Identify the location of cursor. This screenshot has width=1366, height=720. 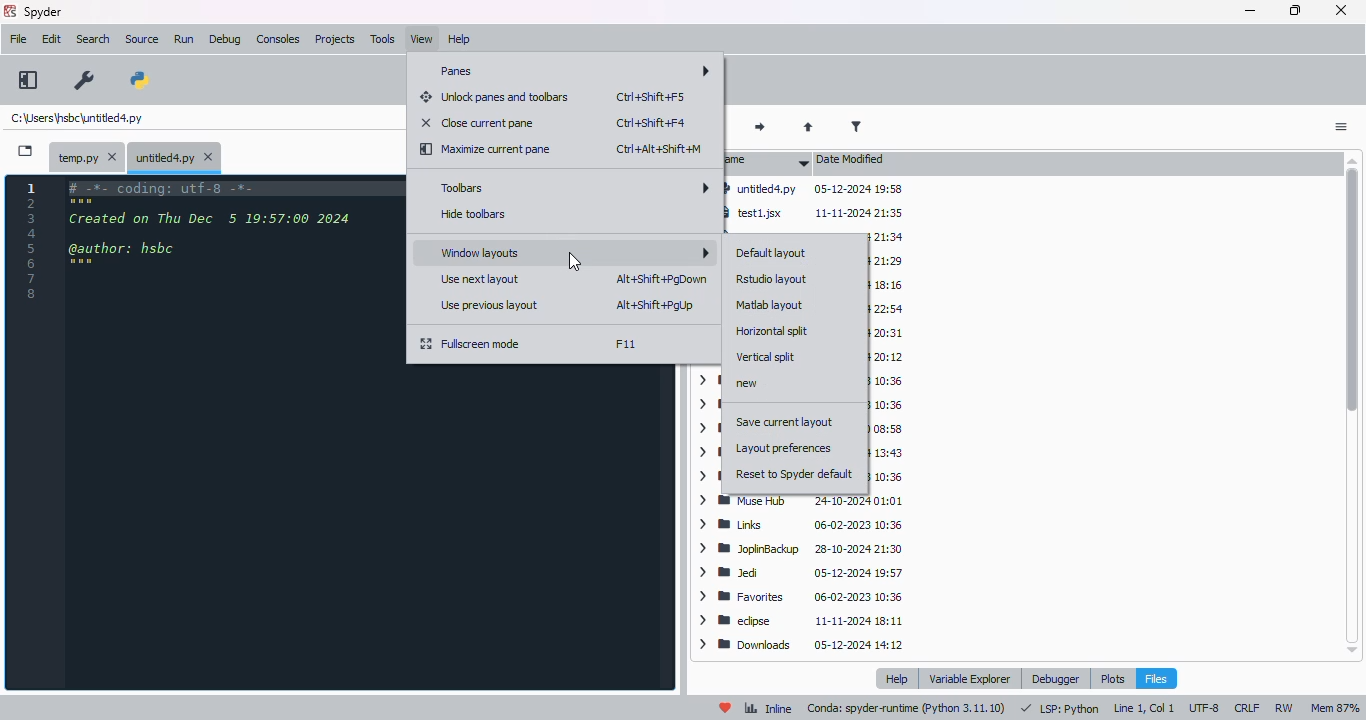
(575, 262).